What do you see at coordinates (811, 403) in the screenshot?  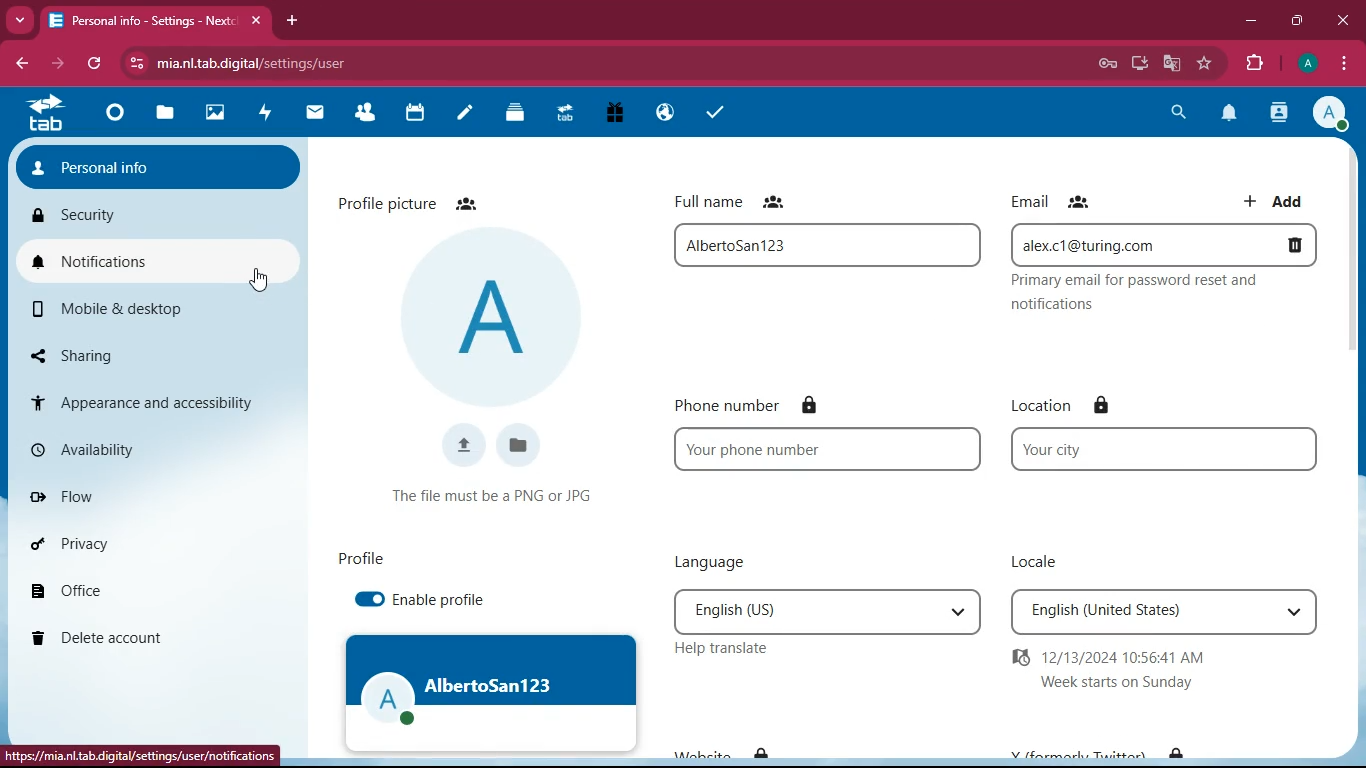 I see `lock` at bounding box center [811, 403].